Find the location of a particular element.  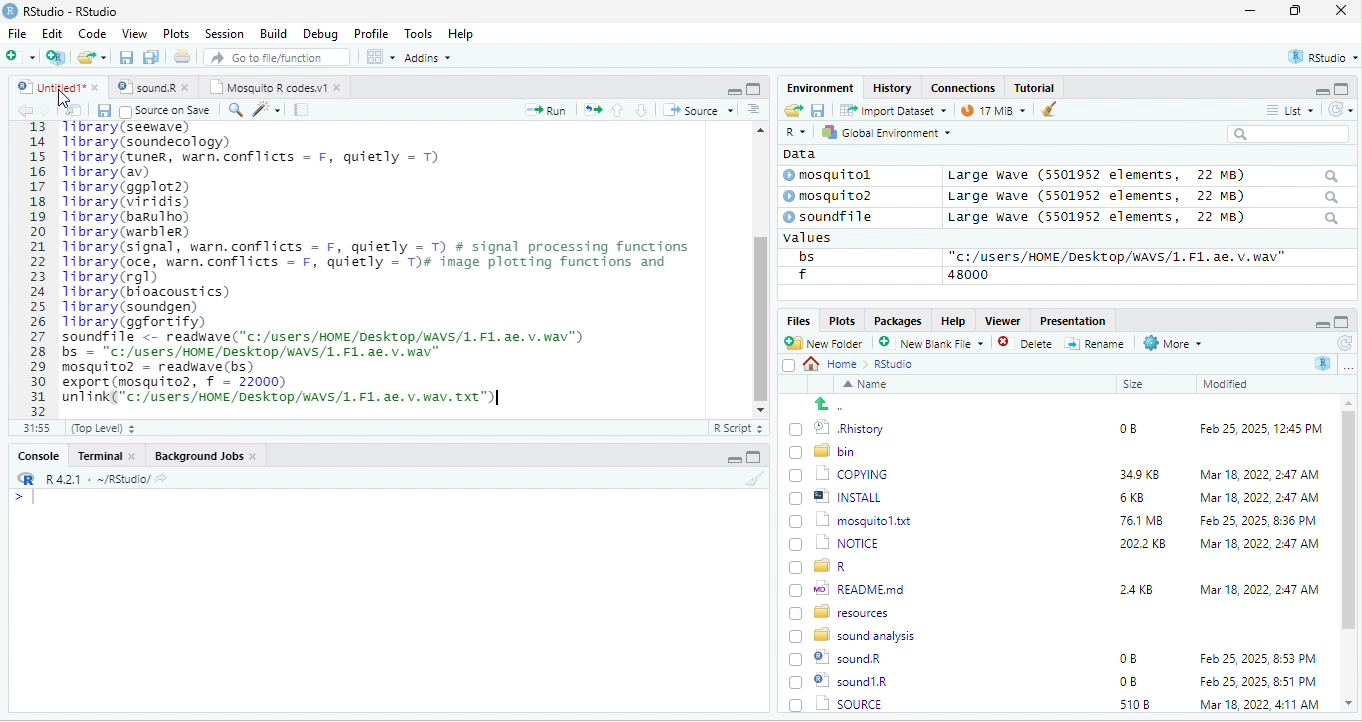

0B is located at coordinates (1127, 659).